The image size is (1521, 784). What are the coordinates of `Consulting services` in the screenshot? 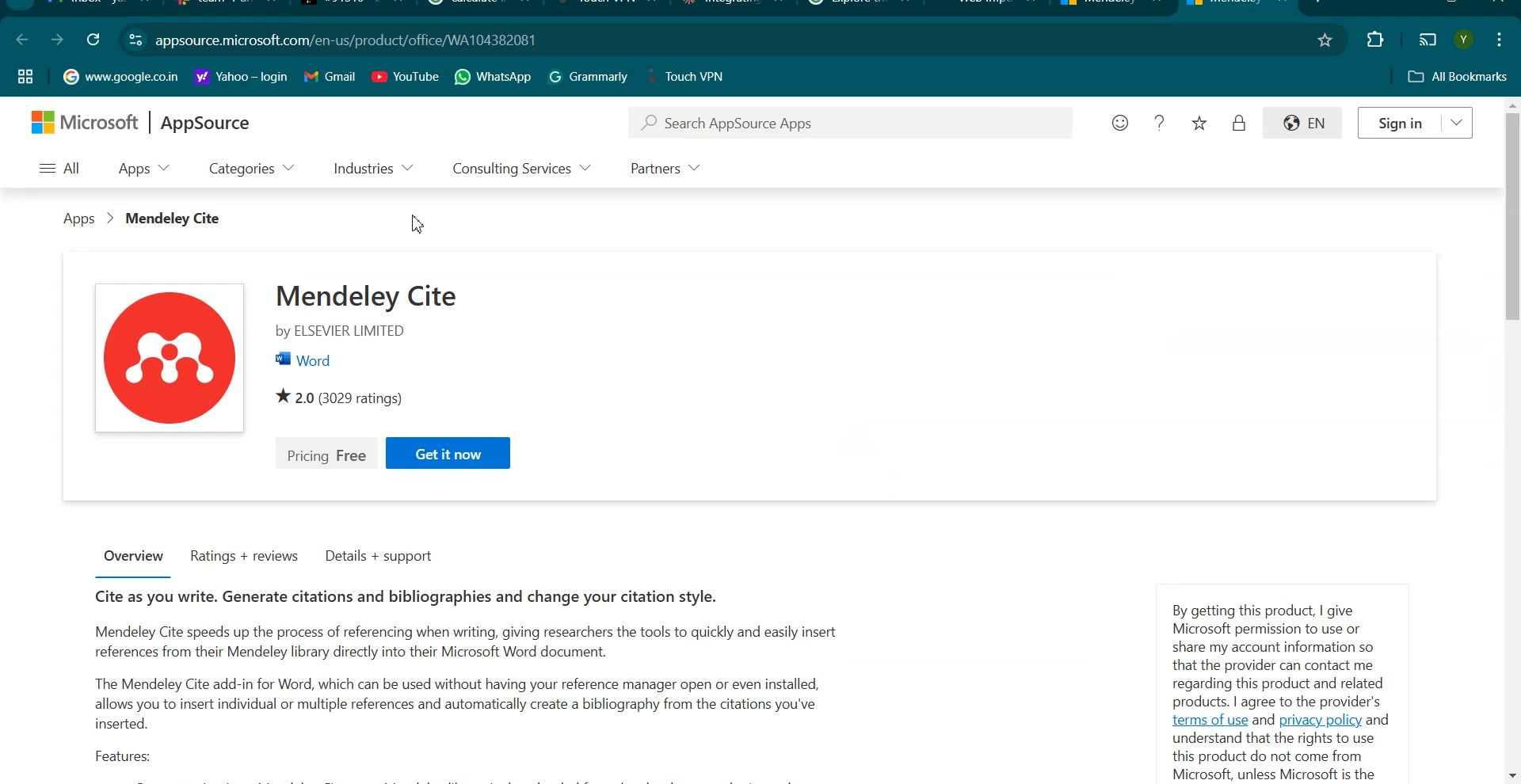 It's located at (520, 169).